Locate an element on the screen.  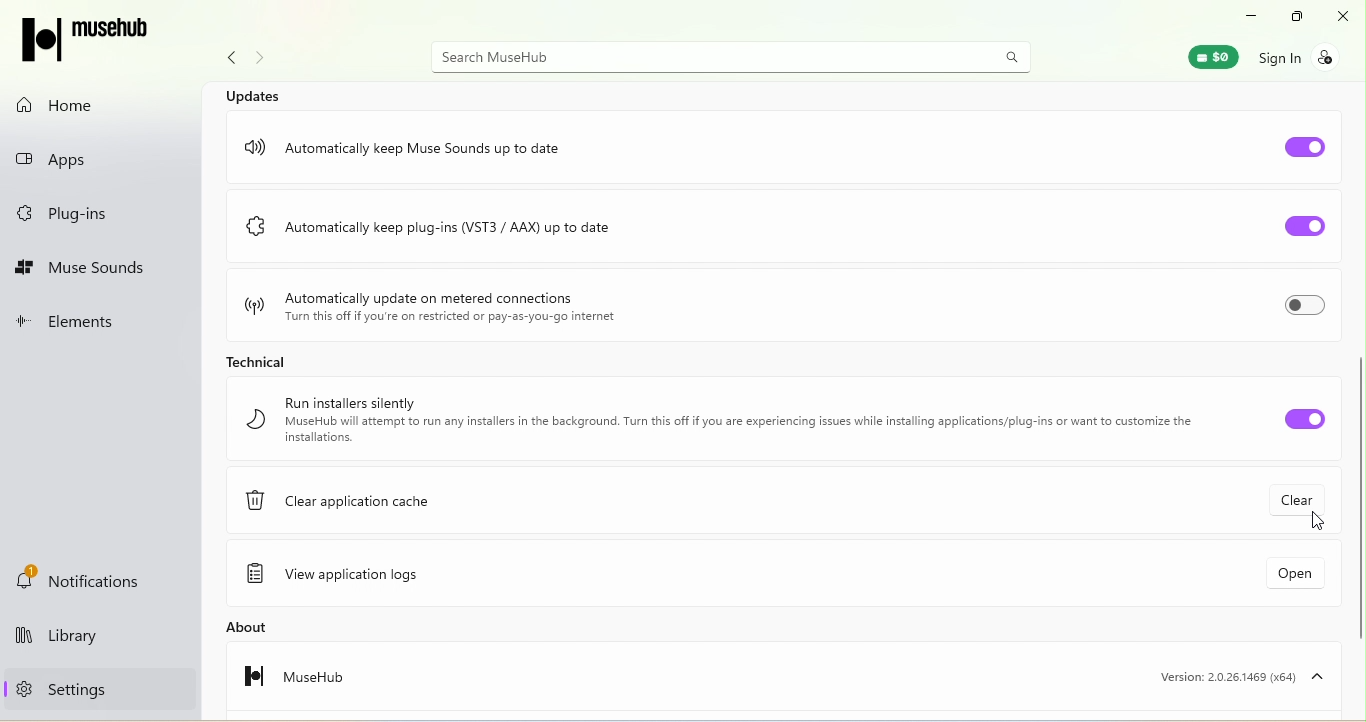
Musehub is located at coordinates (97, 41).